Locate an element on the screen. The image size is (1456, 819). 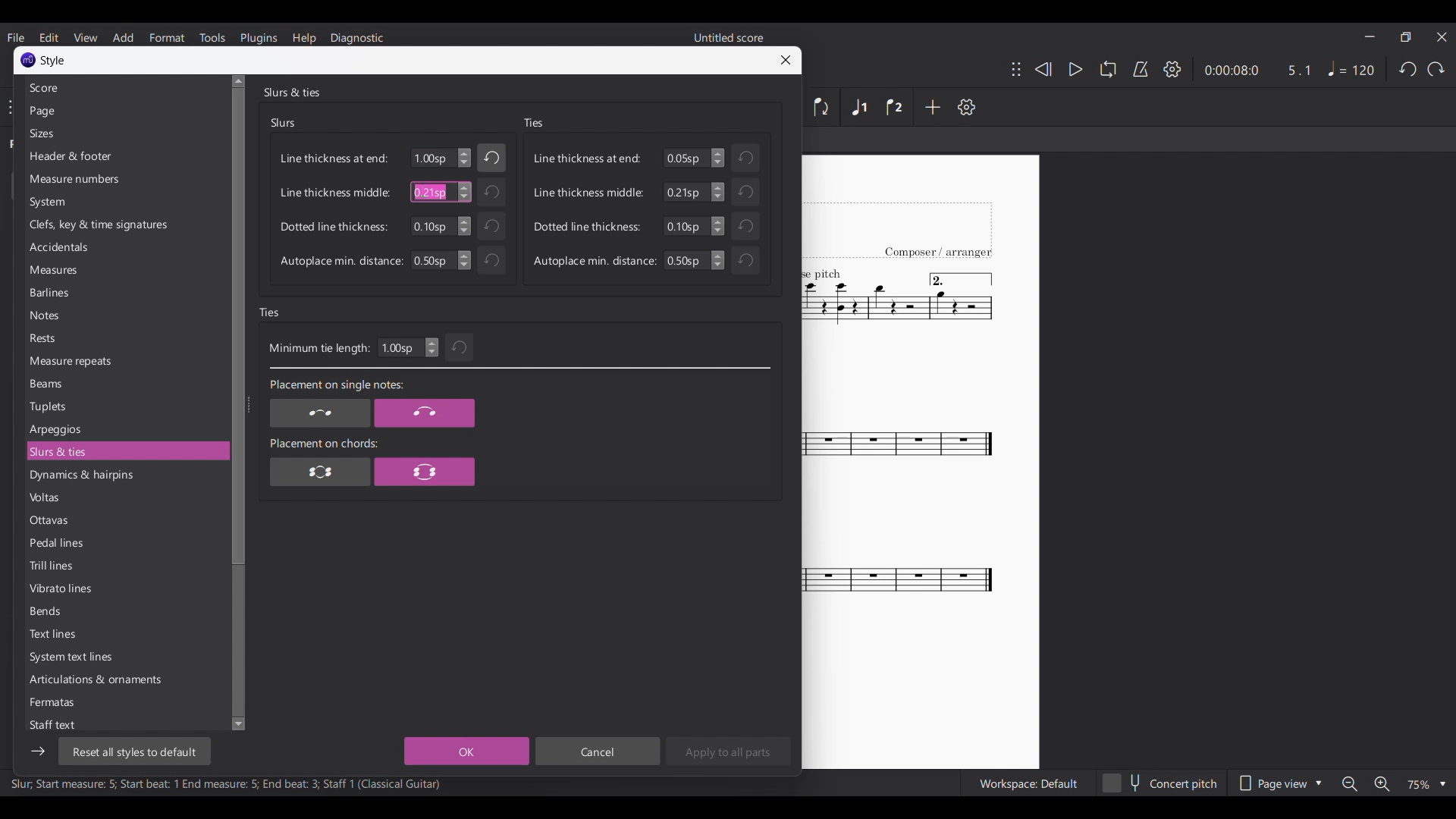
Workspace: Default is located at coordinates (1028, 783).